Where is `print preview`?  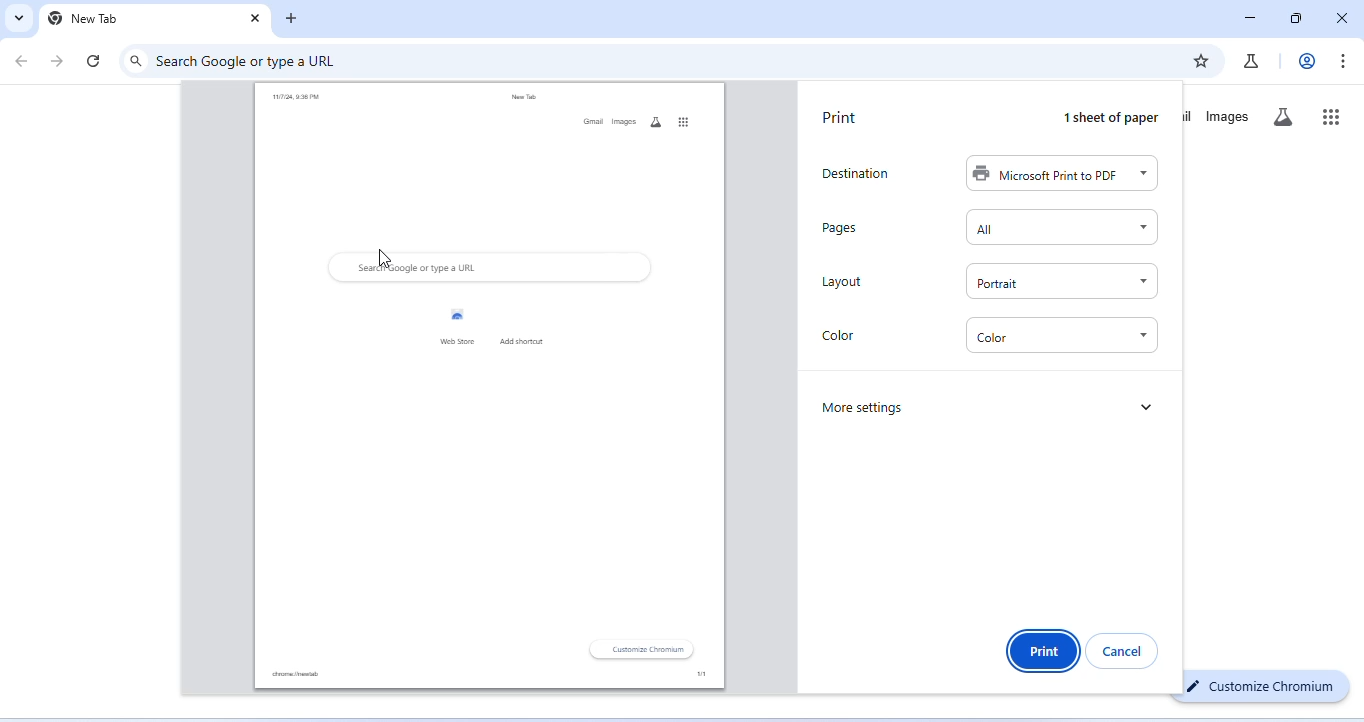 print preview is located at coordinates (489, 386).